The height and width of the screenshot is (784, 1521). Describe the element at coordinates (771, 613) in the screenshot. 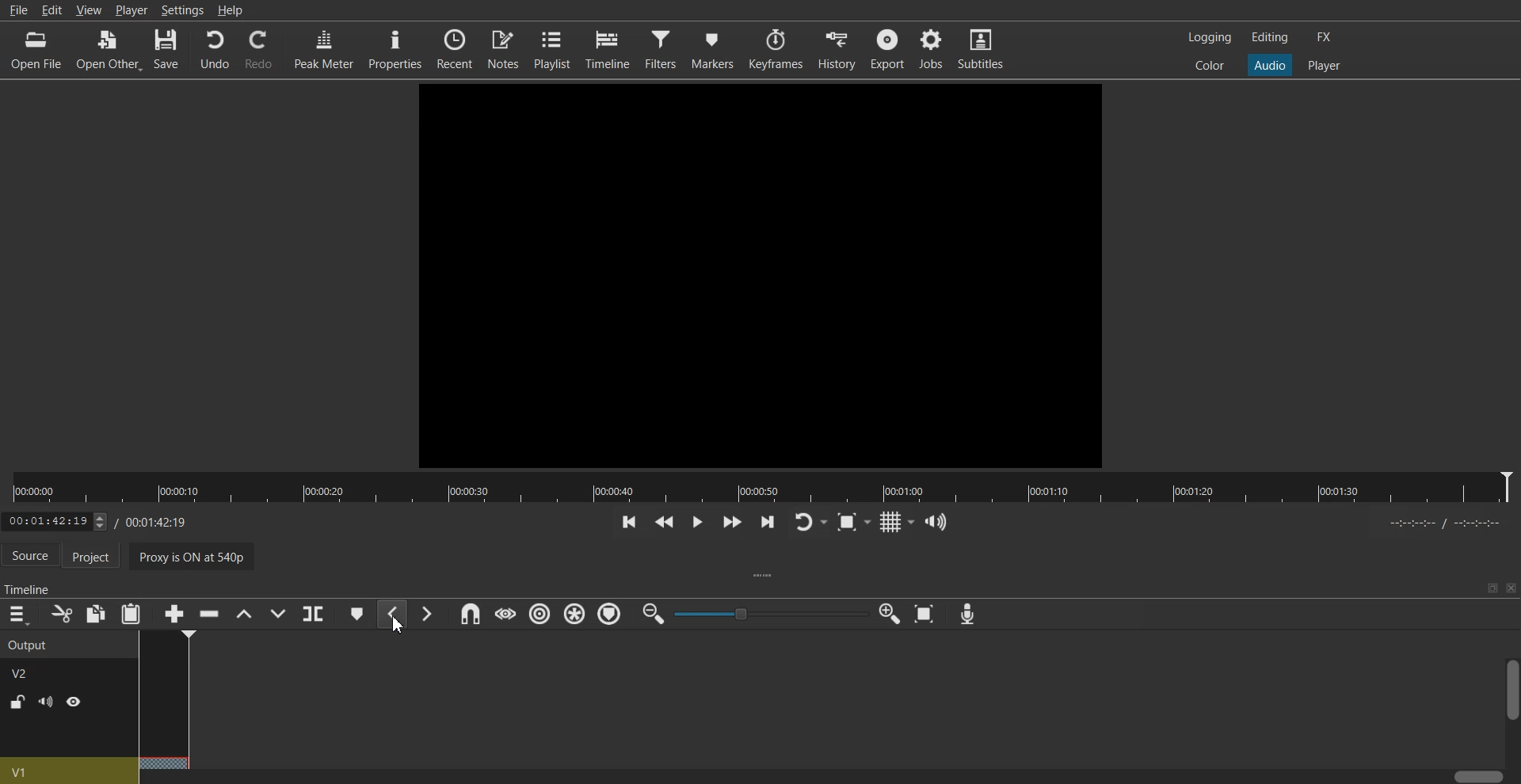

I see `Toggle adjuster` at that location.